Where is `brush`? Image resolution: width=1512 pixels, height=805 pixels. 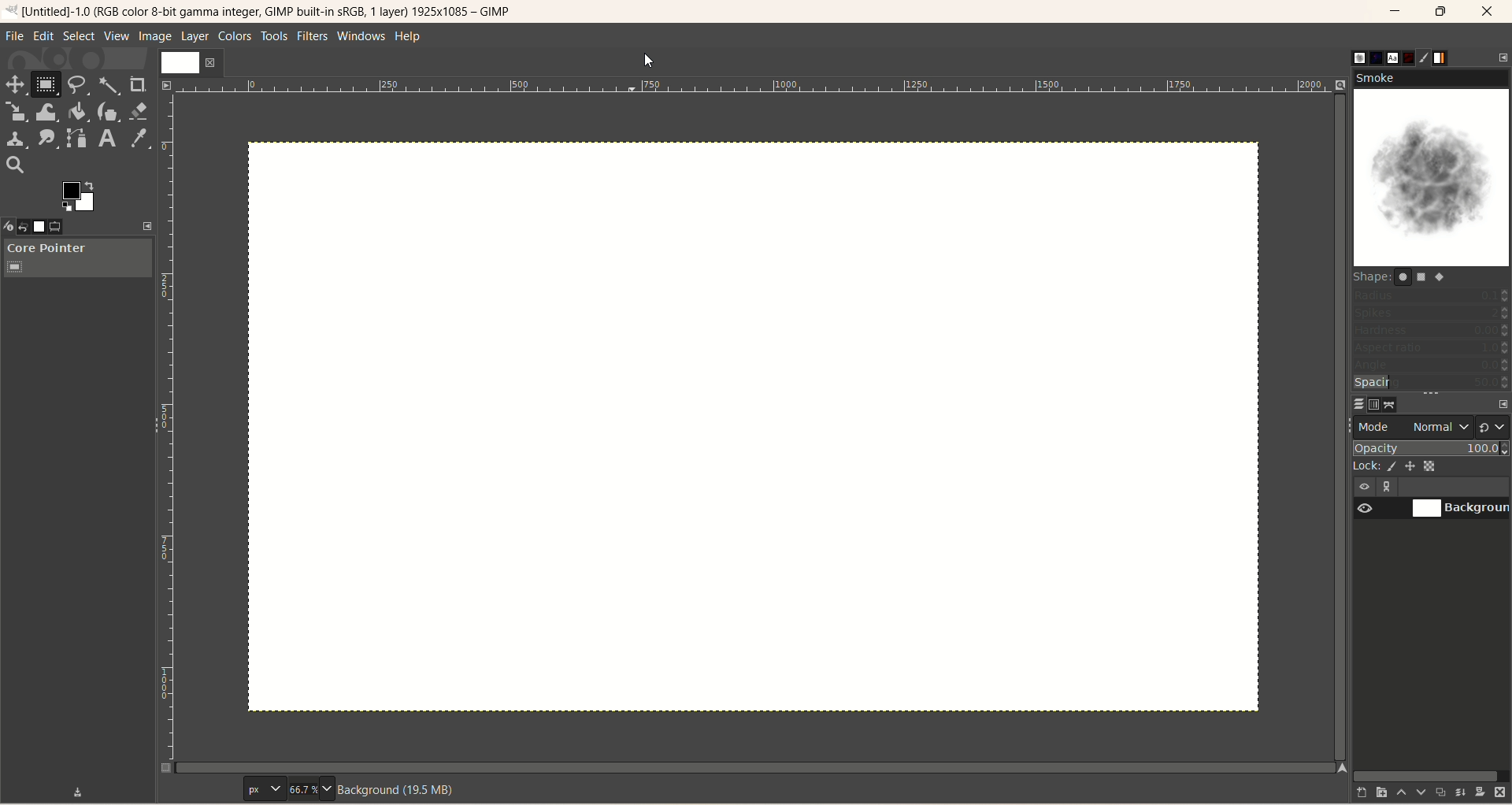
brush is located at coordinates (1348, 54).